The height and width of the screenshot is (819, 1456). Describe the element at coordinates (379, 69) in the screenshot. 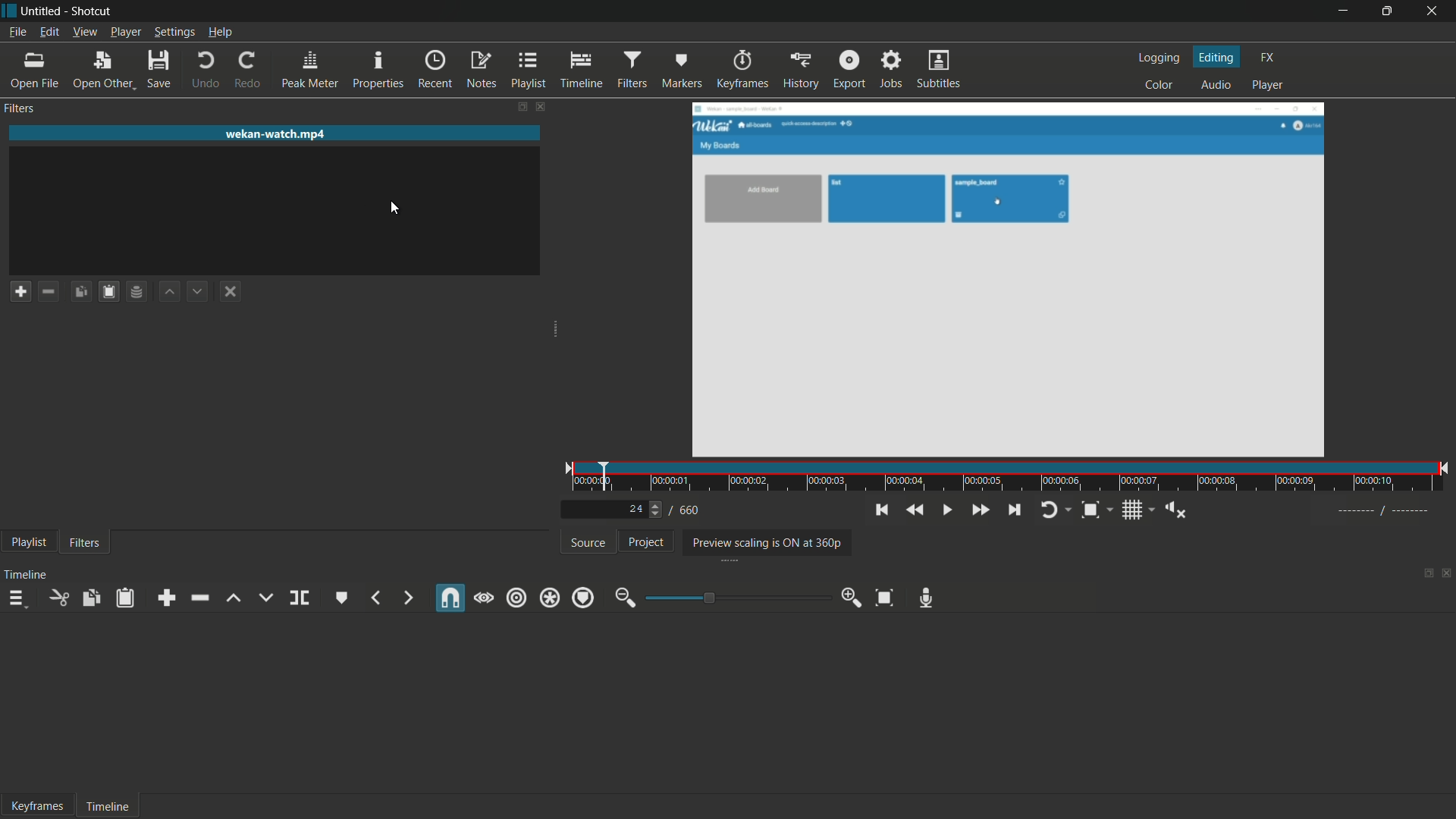

I see `properties` at that location.